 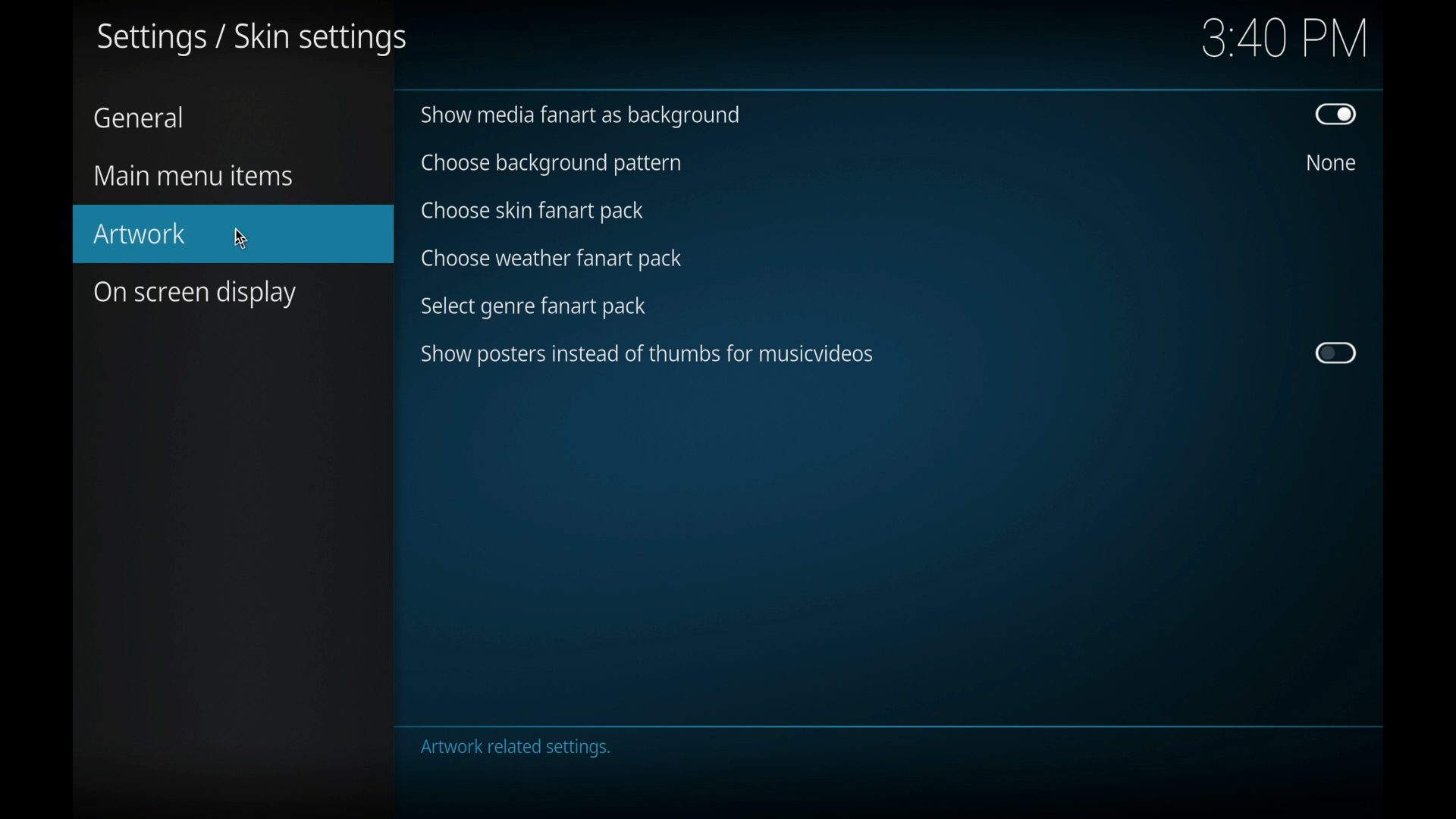 I want to click on on screen display, so click(x=196, y=294).